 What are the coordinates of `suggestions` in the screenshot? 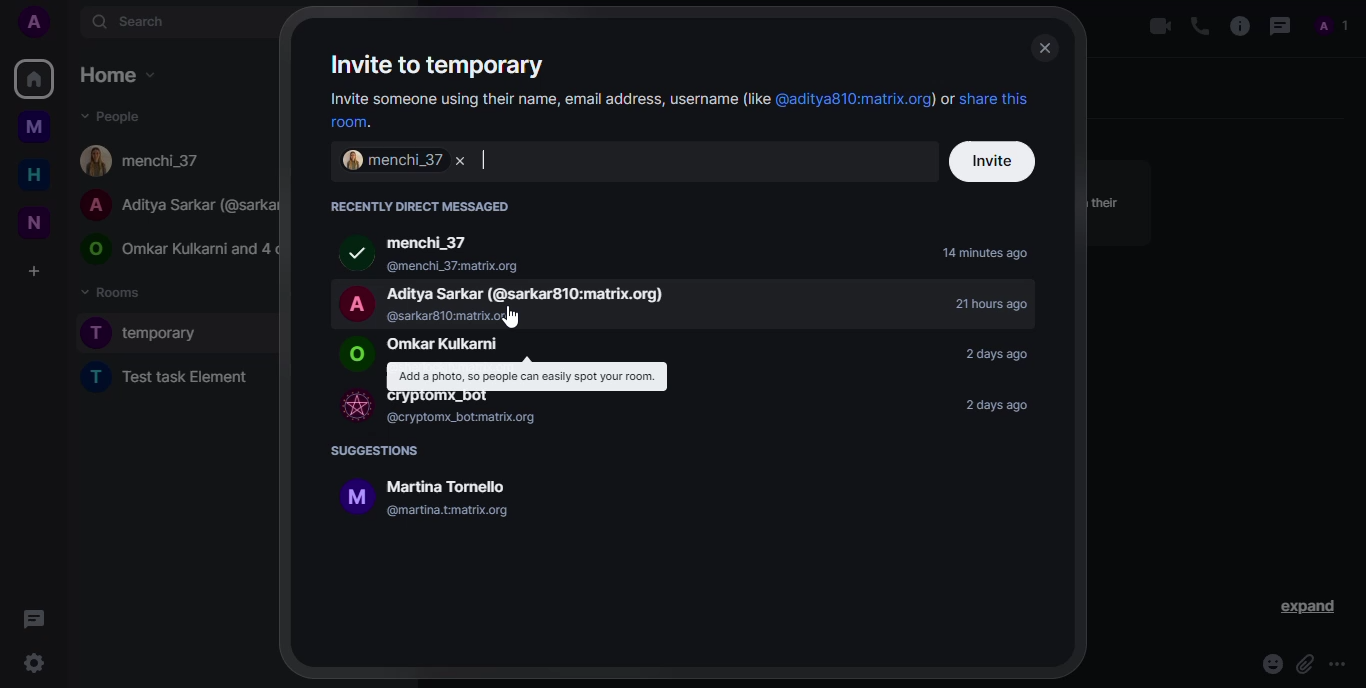 It's located at (377, 451).